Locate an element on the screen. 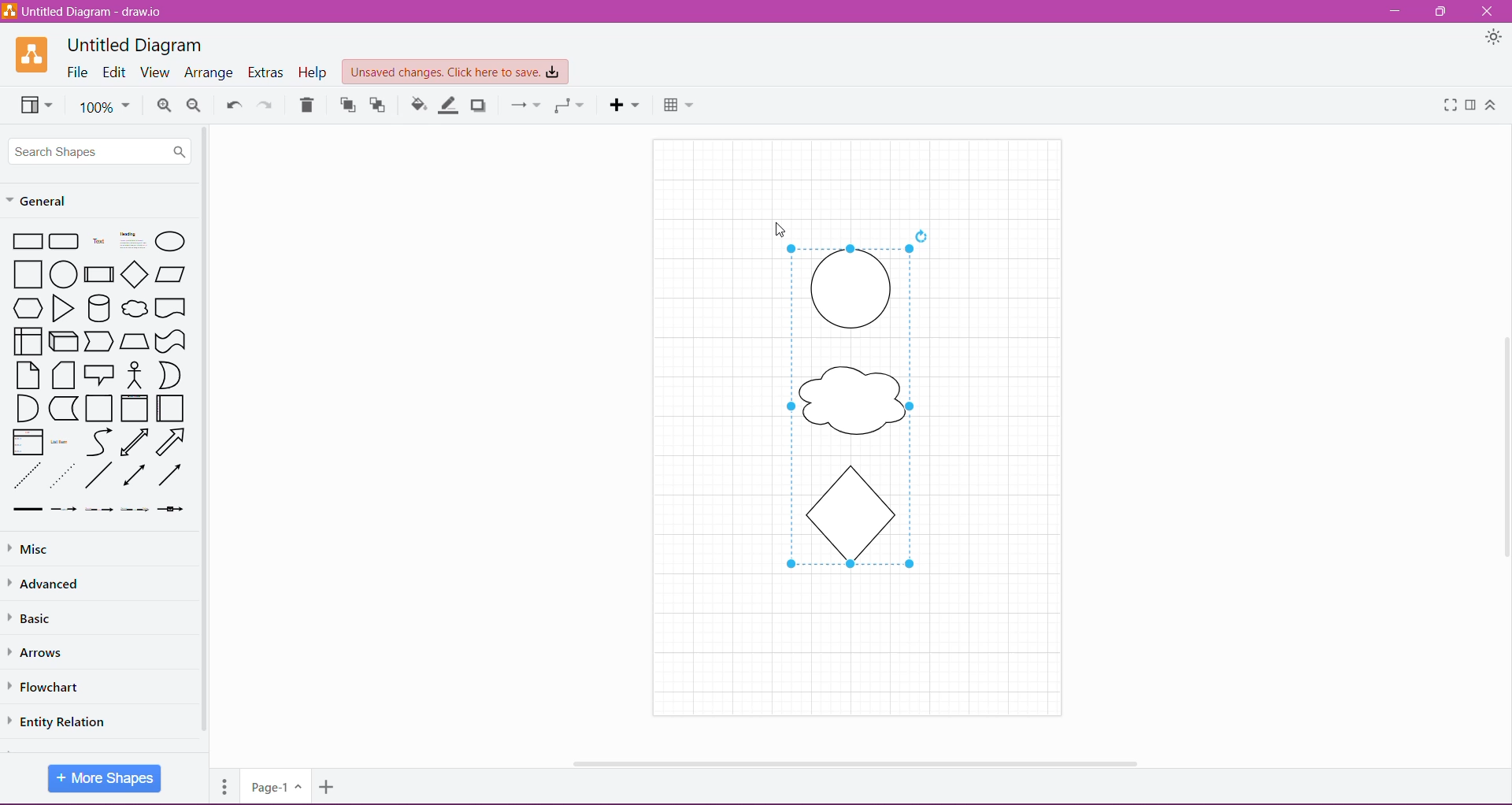 Image resolution: width=1512 pixels, height=805 pixels. Search Shapes is located at coordinates (101, 150).